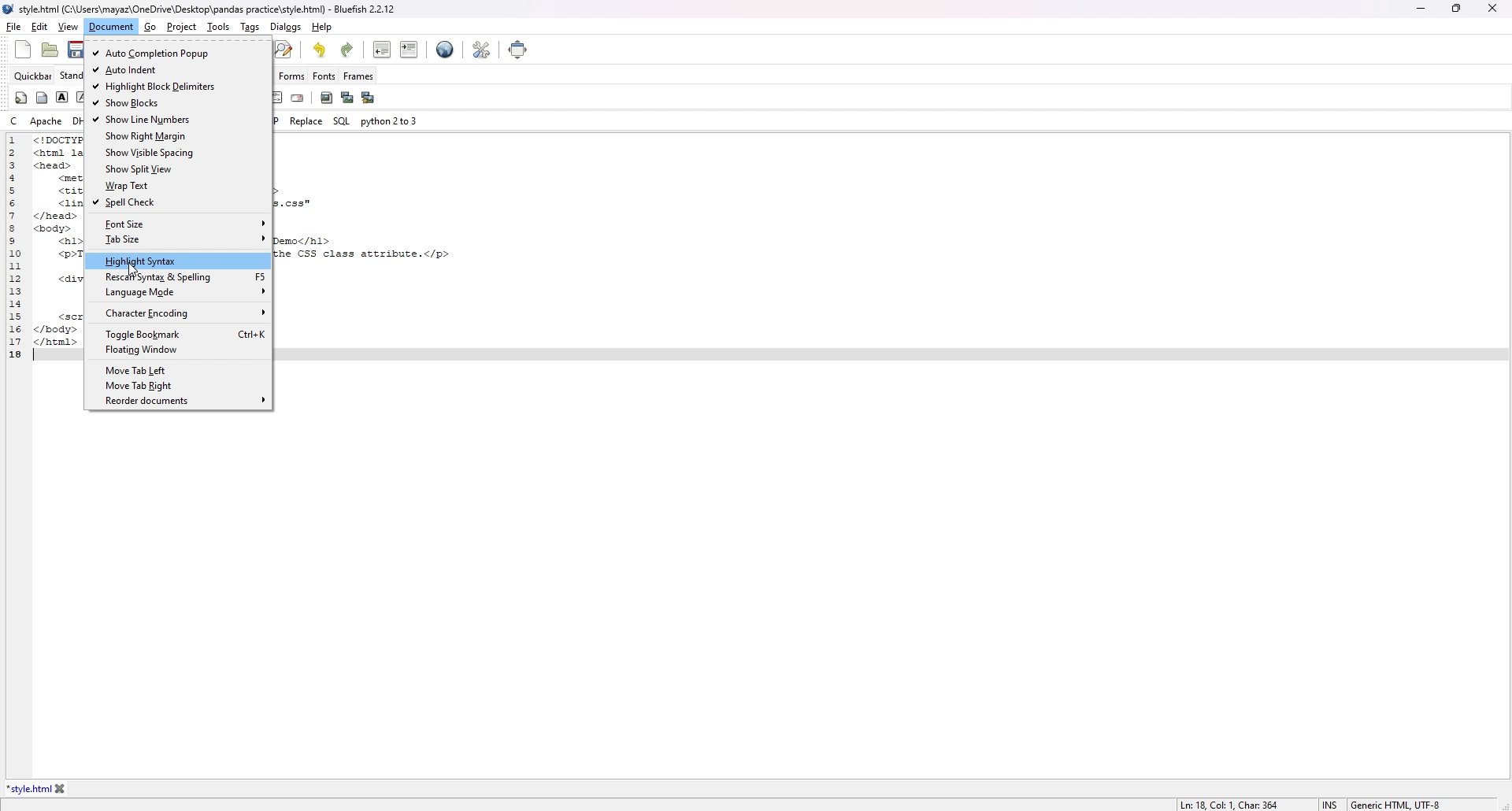 This screenshot has width=1512, height=811. Describe the element at coordinates (22, 98) in the screenshot. I see `quickstart` at that location.